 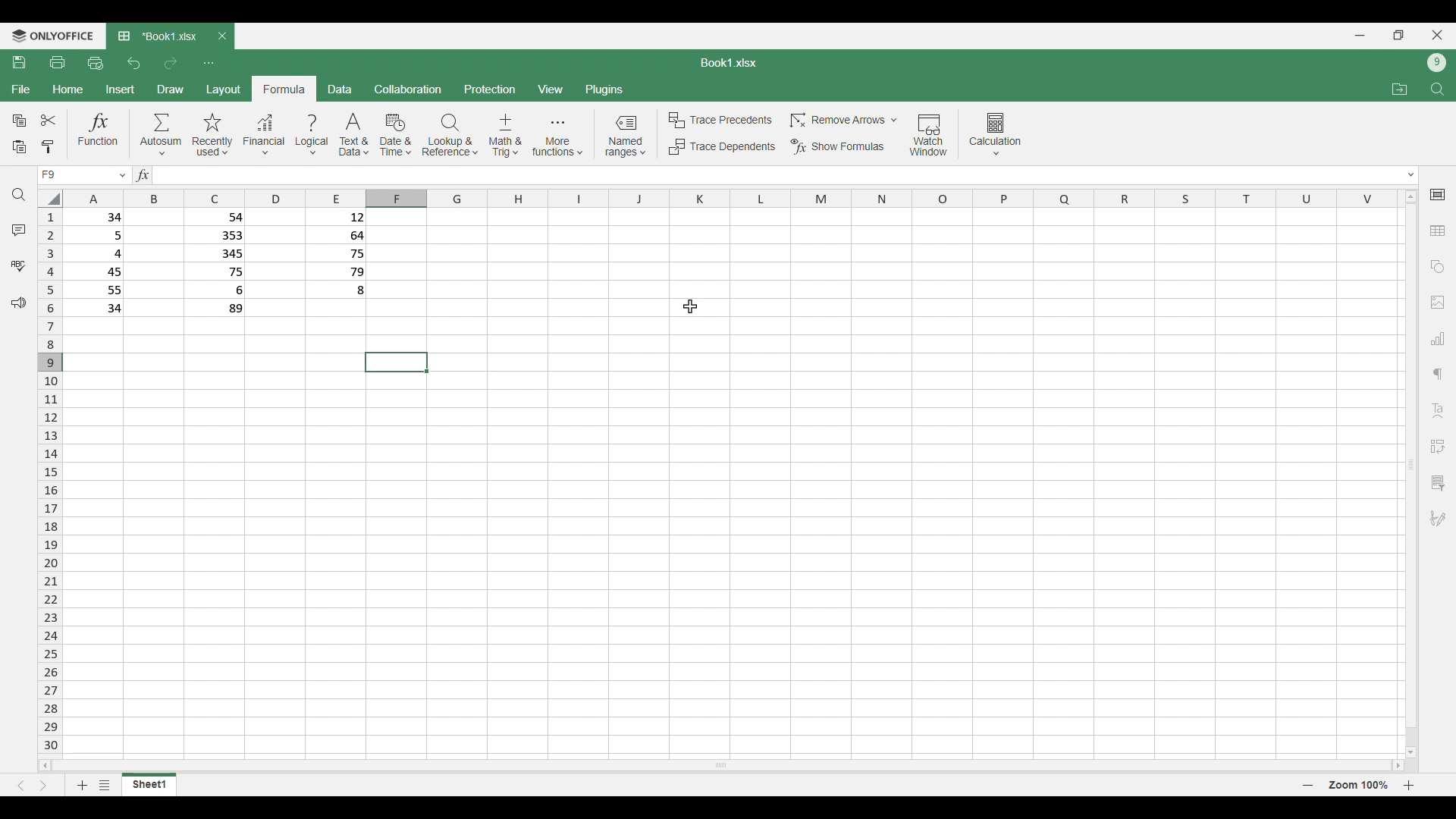 I want to click on Print file, so click(x=58, y=63).